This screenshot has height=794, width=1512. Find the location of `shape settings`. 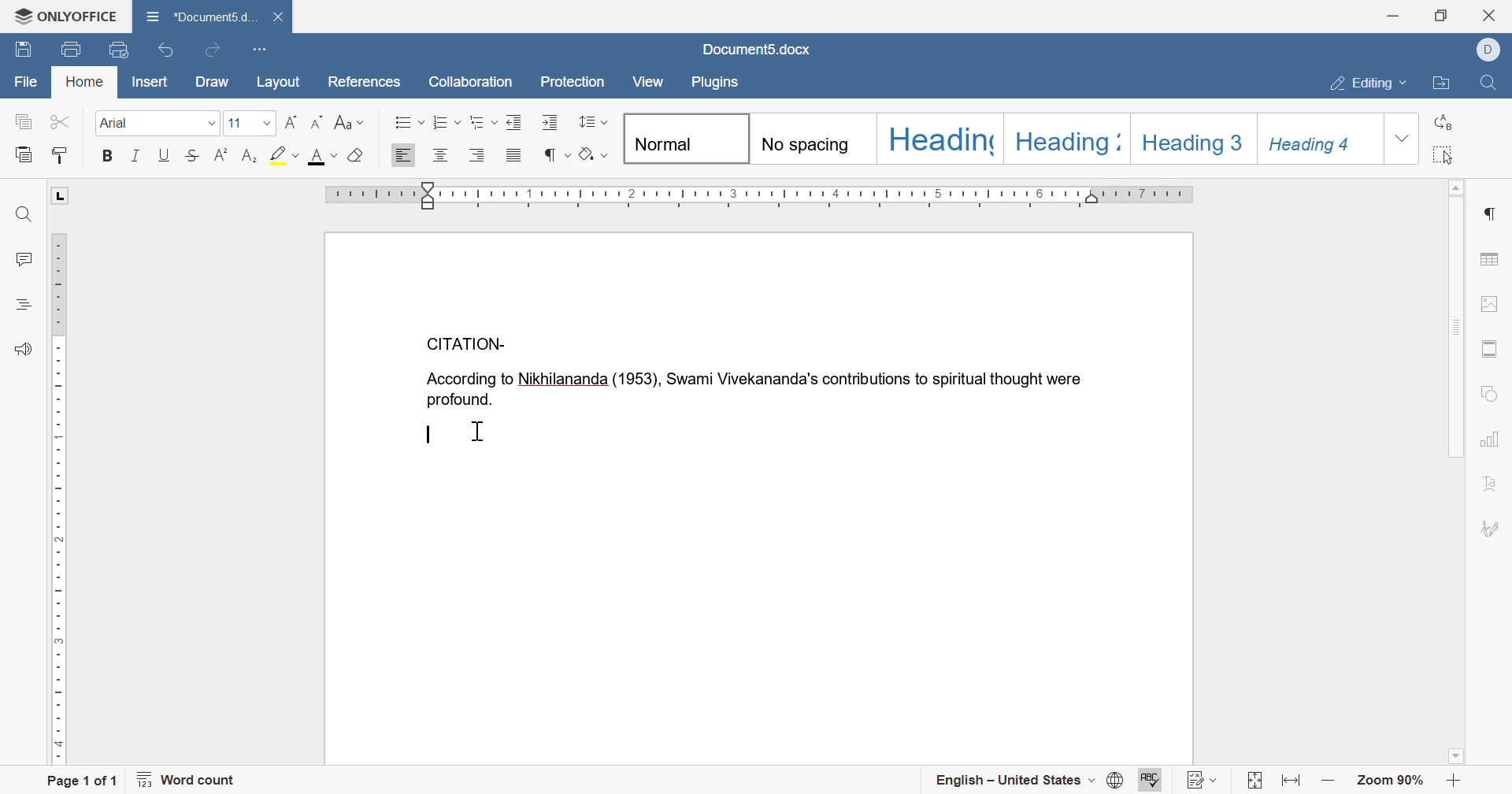

shape settings is located at coordinates (1493, 392).